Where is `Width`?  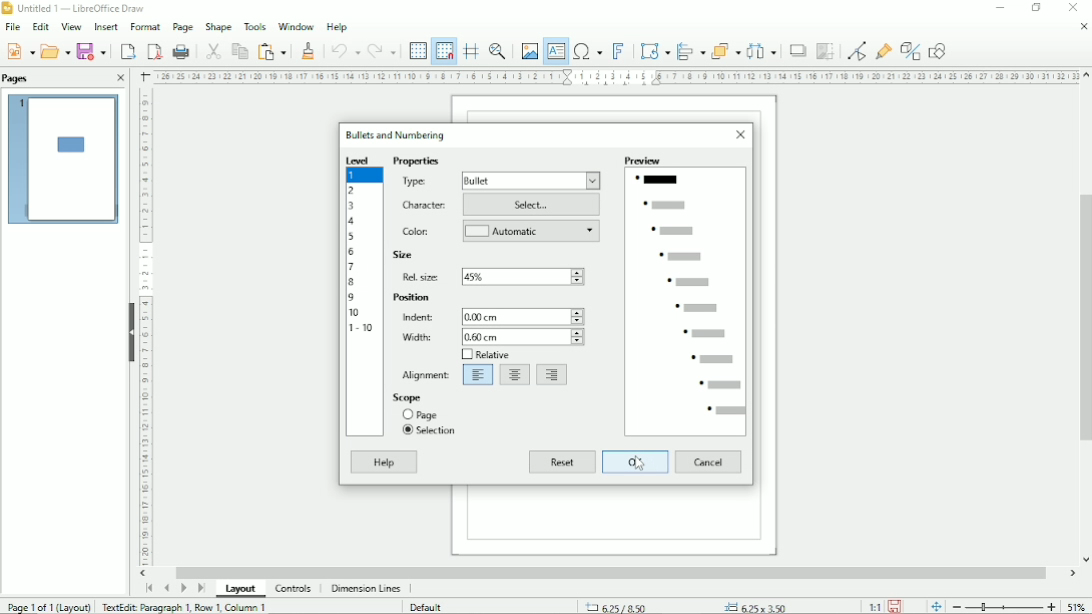
Width is located at coordinates (415, 337).